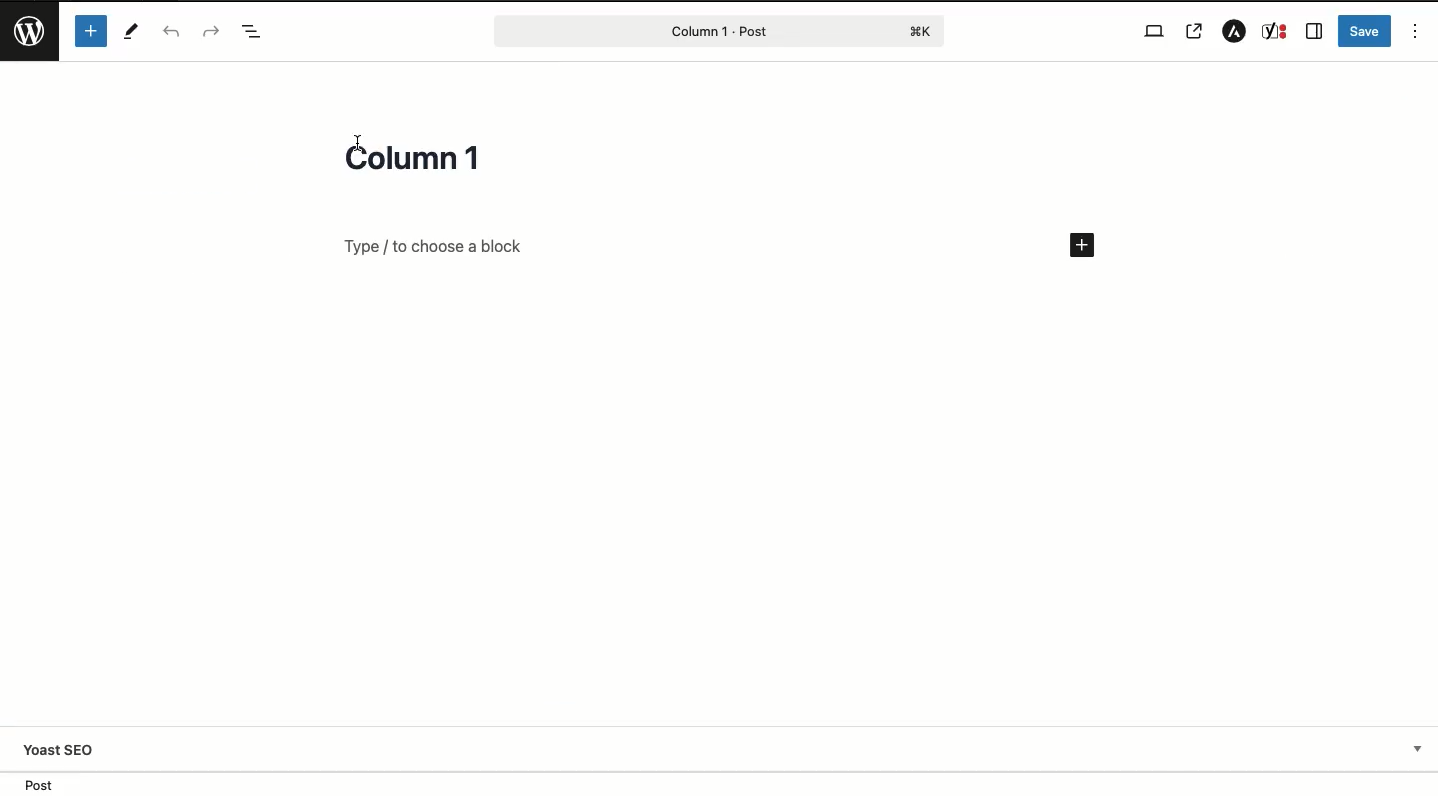 The image size is (1438, 796). I want to click on Tools, so click(133, 31).